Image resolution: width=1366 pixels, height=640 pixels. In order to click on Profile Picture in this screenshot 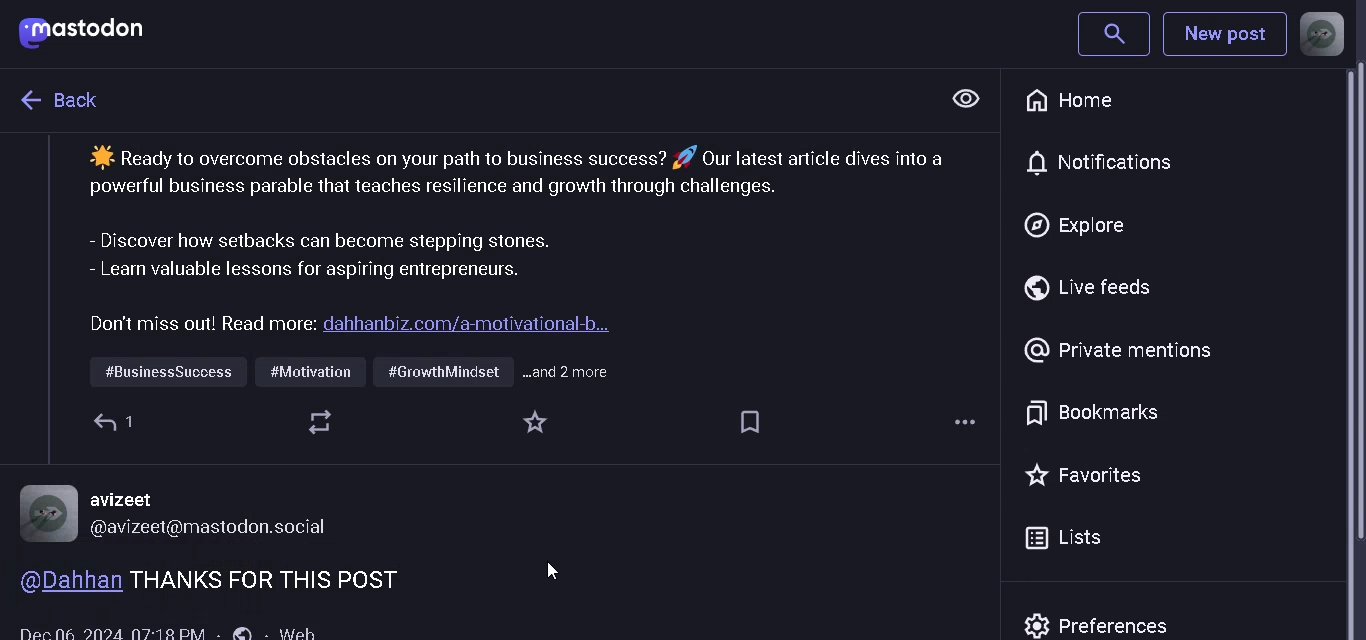, I will do `click(49, 509)`.